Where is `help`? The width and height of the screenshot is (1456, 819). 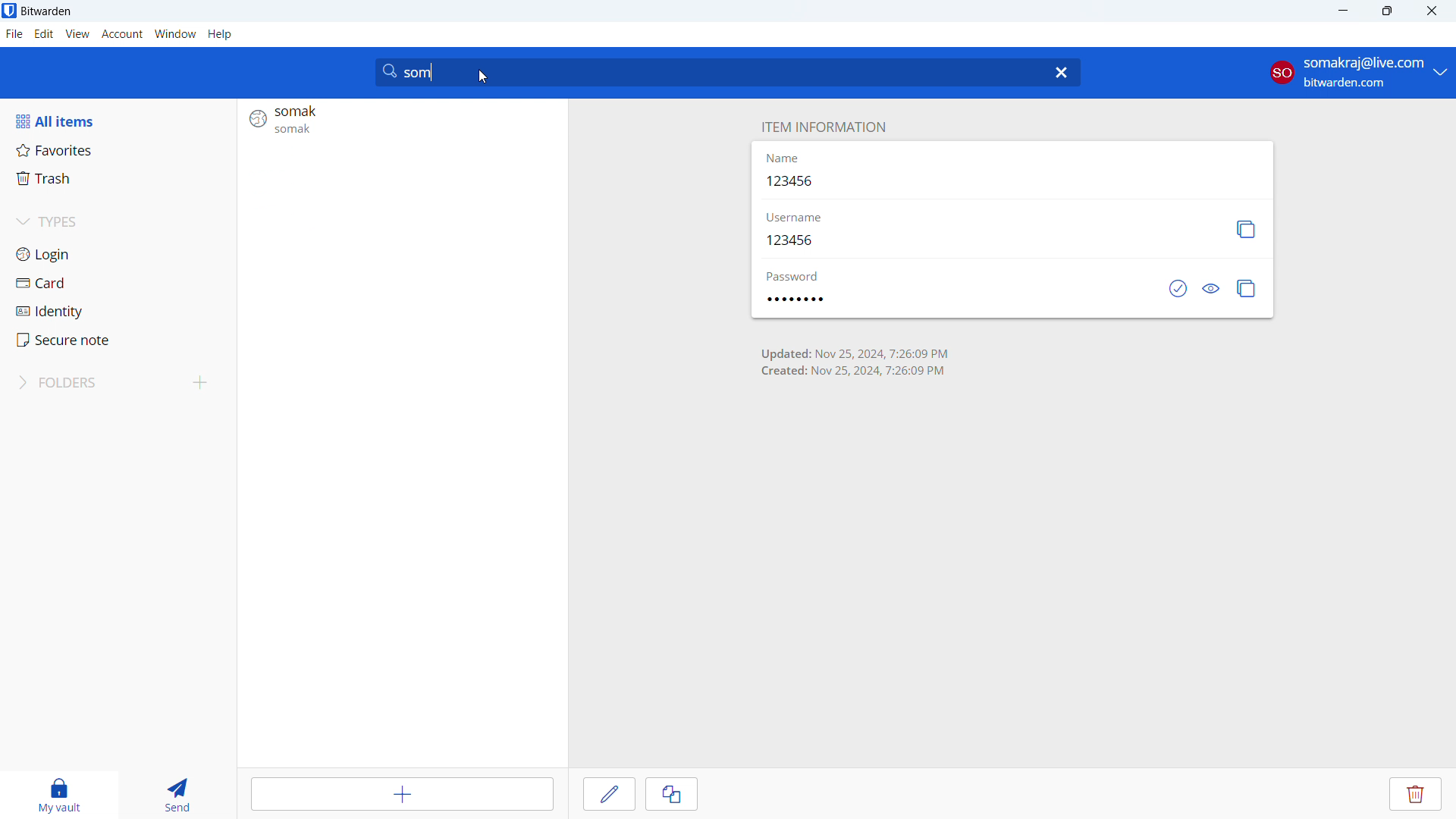 help is located at coordinates (221, 34).